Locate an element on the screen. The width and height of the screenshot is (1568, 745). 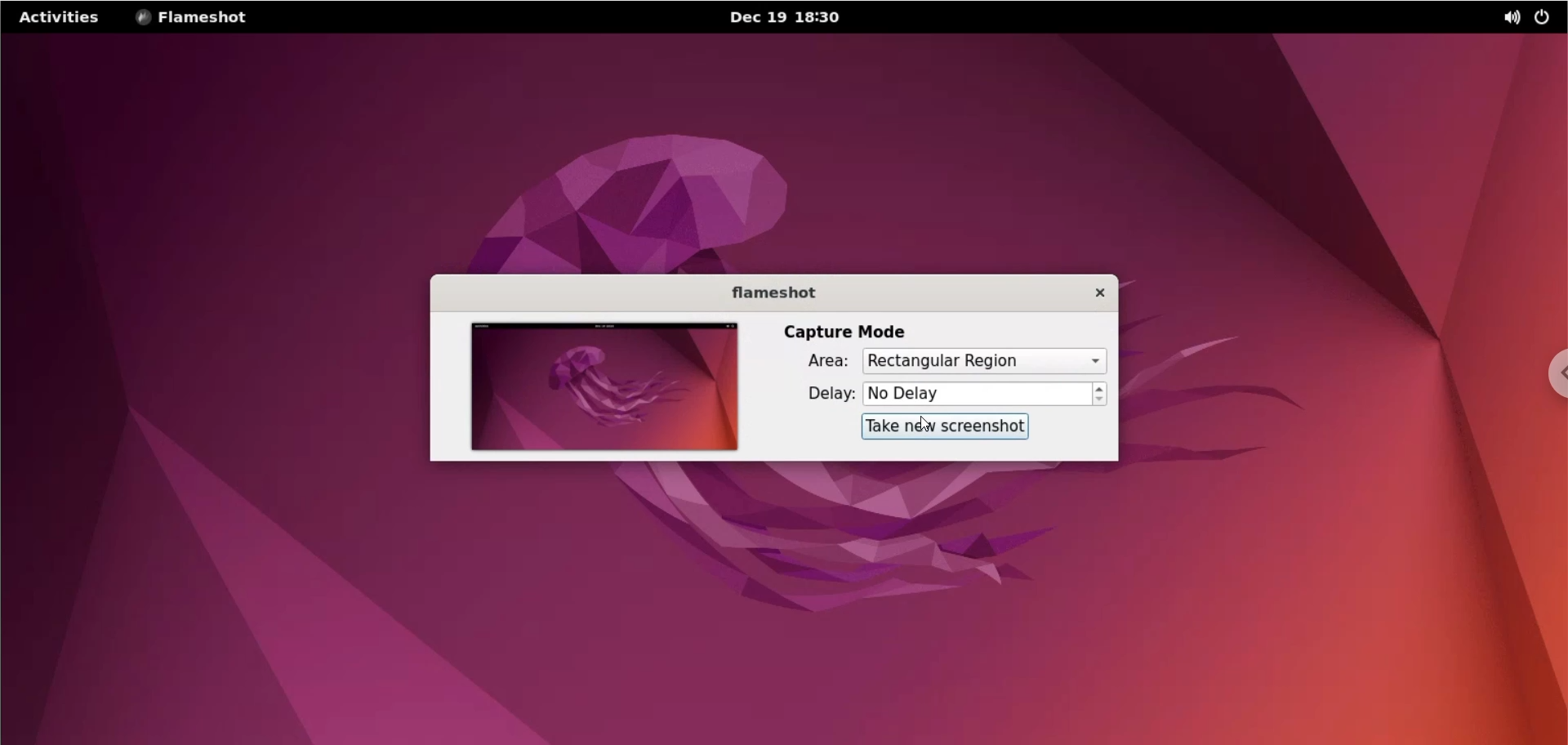
take screenshot is located at coordinates (945, 426).